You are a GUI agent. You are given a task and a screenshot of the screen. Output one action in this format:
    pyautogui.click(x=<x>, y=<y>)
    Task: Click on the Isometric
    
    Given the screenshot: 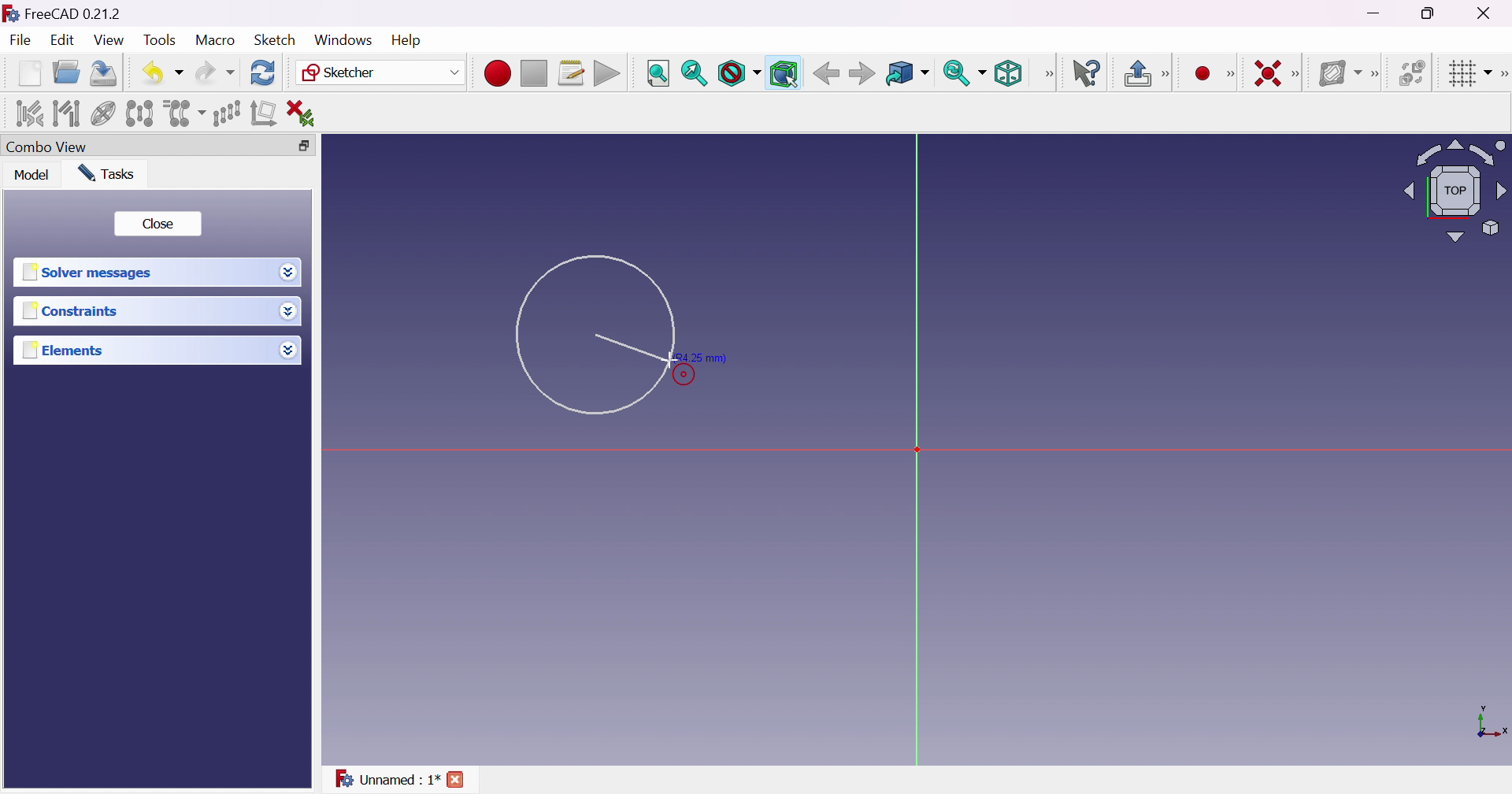 What is the action you would take?
    pyautogui.click(x=1008, y=74)
    